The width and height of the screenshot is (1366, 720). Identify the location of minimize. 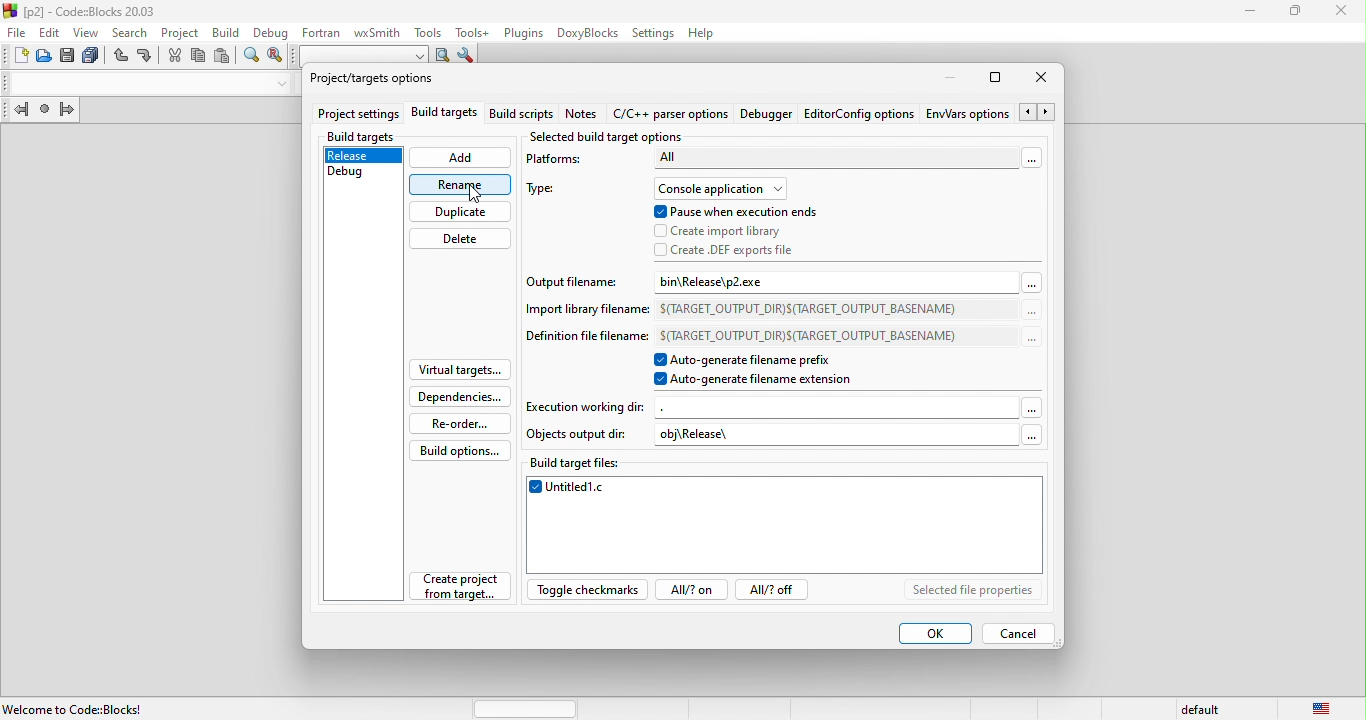
(944, 78).